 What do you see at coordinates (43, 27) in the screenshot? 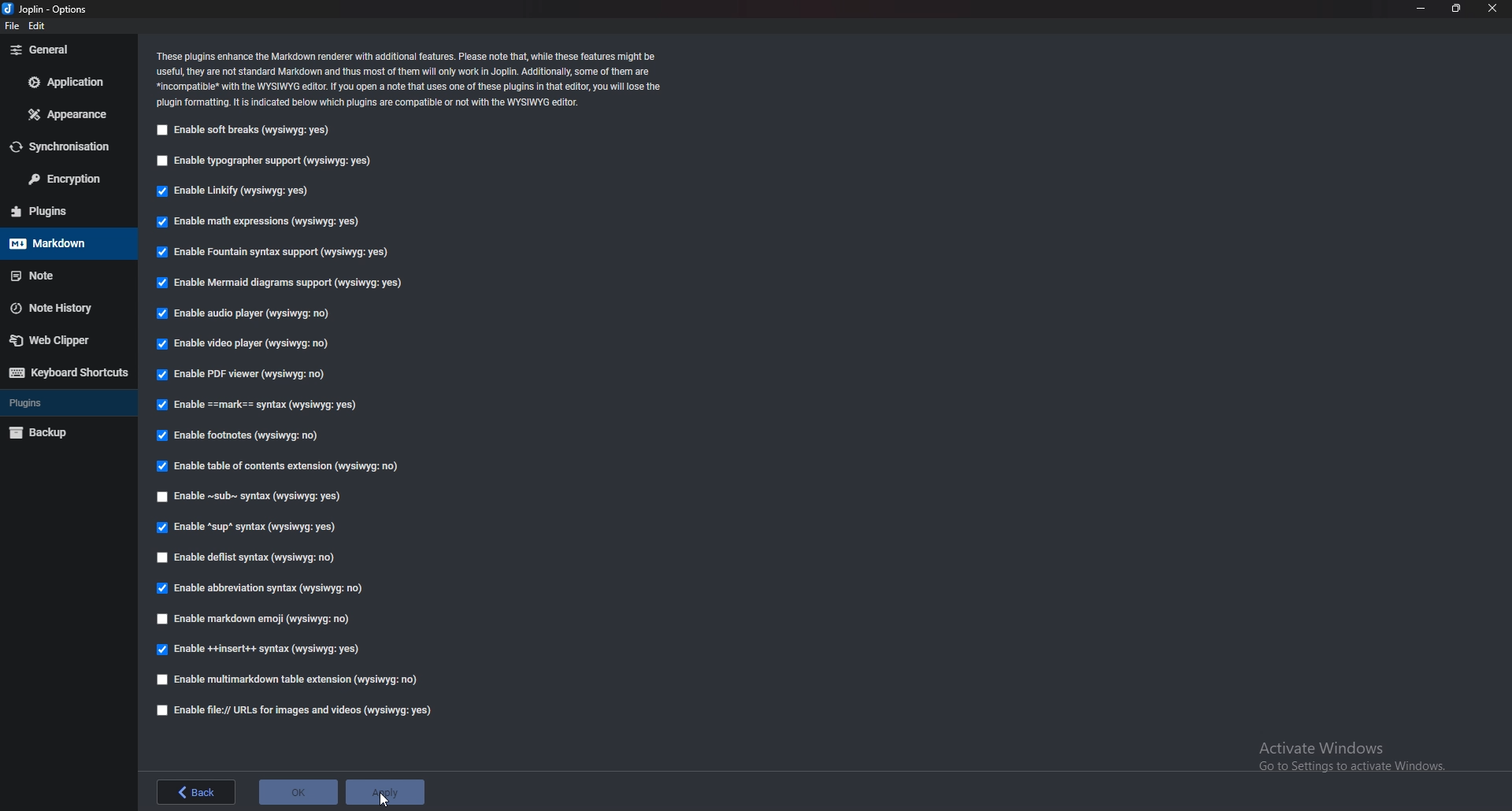
I see `edit` at bounding box center [43, 27].